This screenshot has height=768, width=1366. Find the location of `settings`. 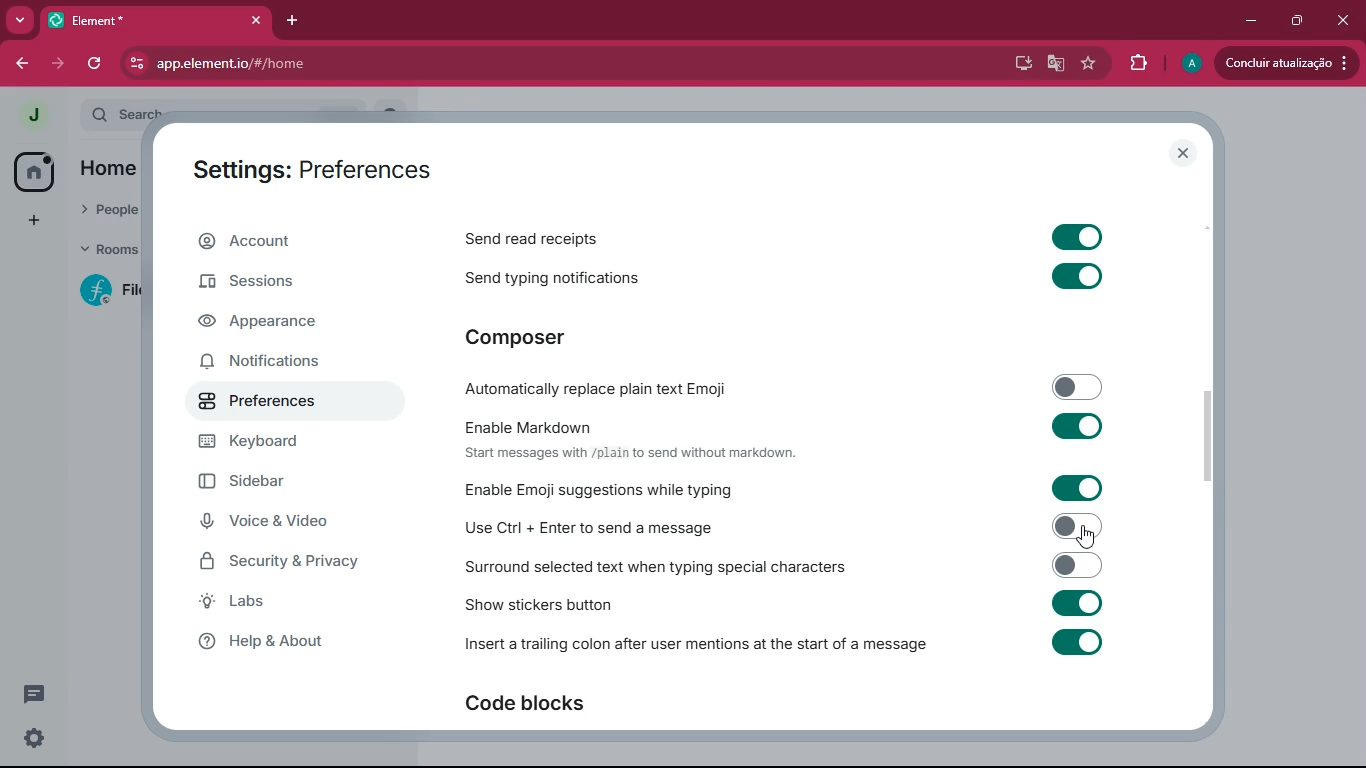

settings is located at coordinates (30, 739).